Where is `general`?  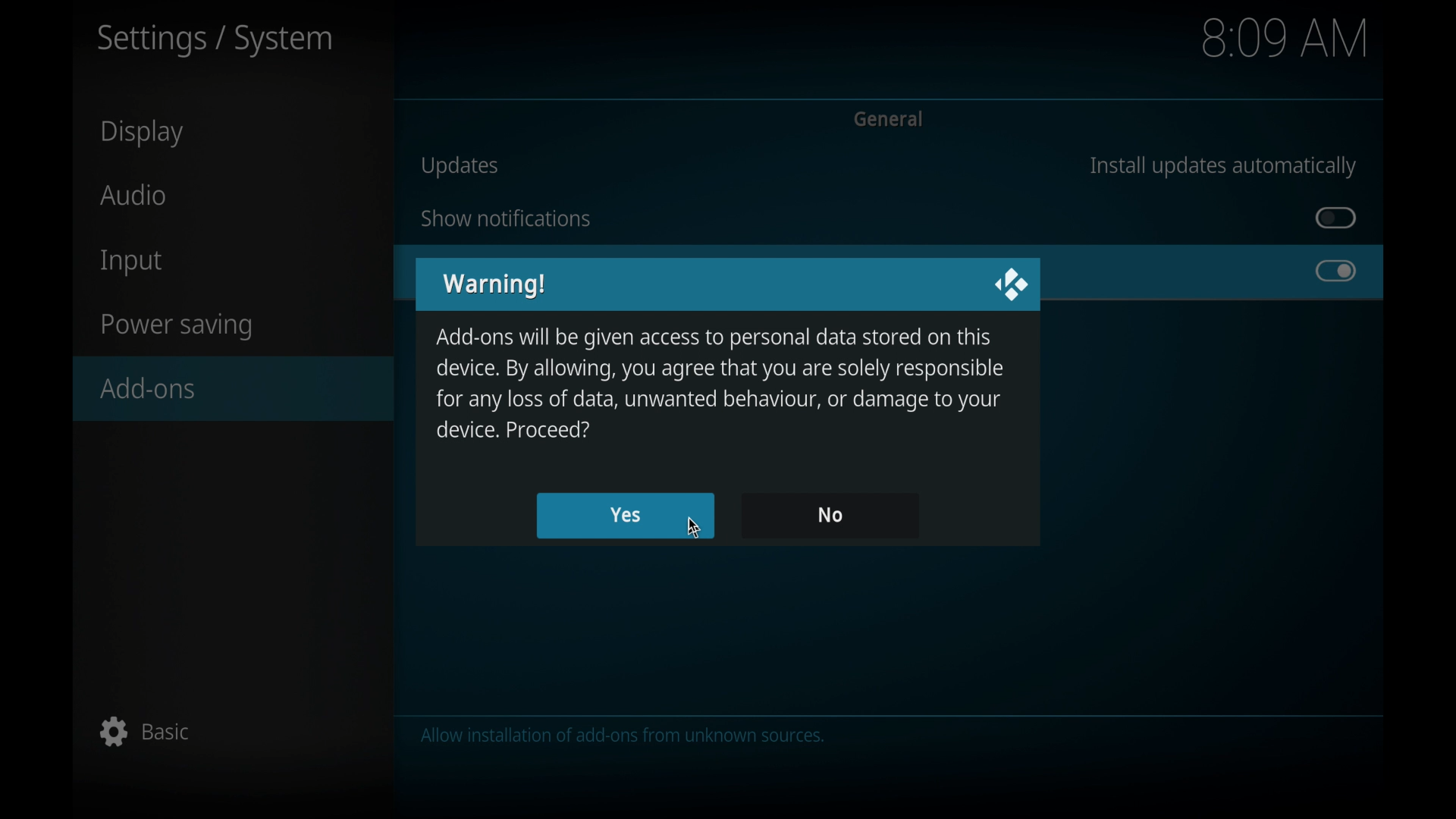
general is located at coordinates (891, 119).